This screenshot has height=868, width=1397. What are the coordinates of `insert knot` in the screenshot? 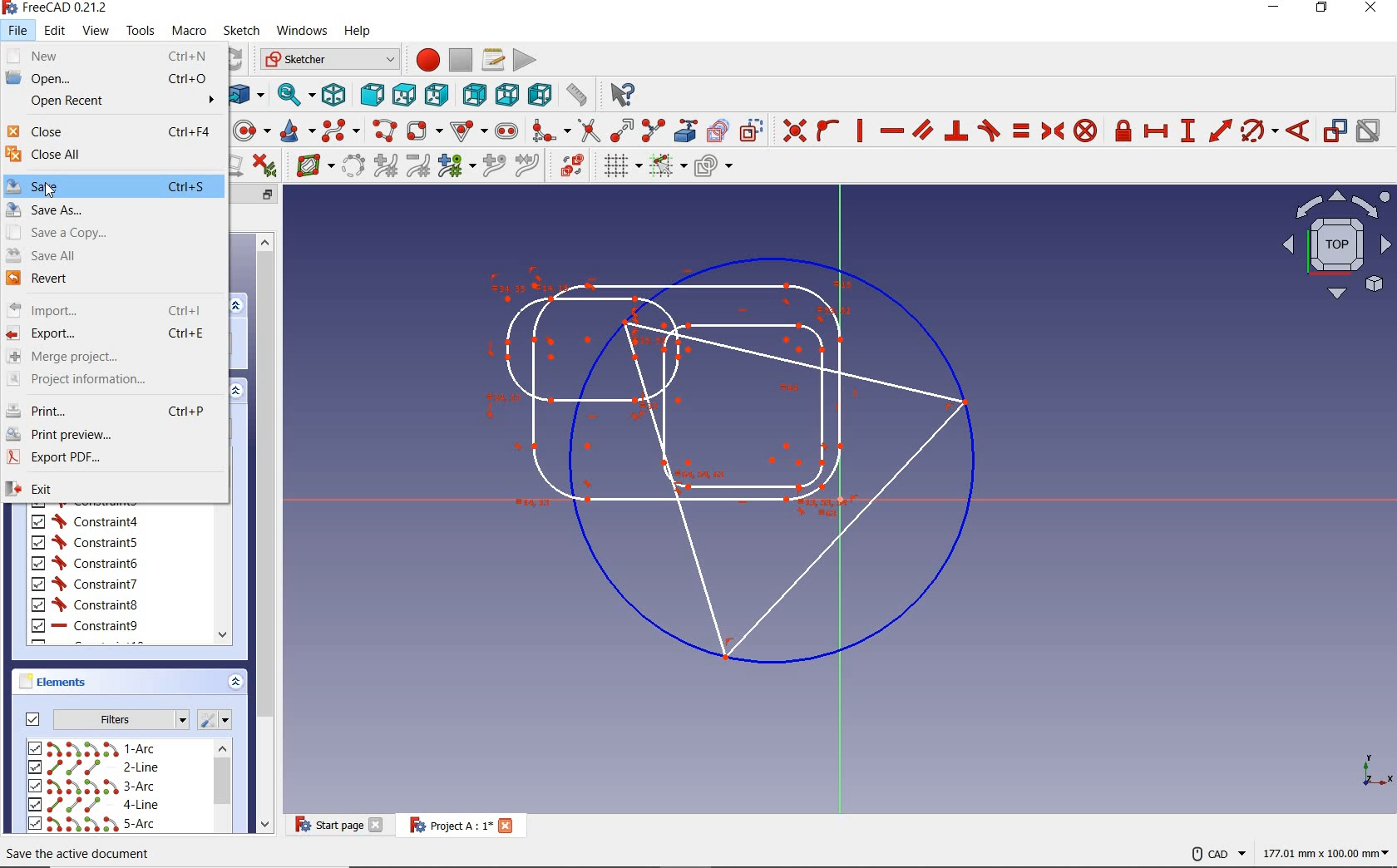 It's located at (493, 165).